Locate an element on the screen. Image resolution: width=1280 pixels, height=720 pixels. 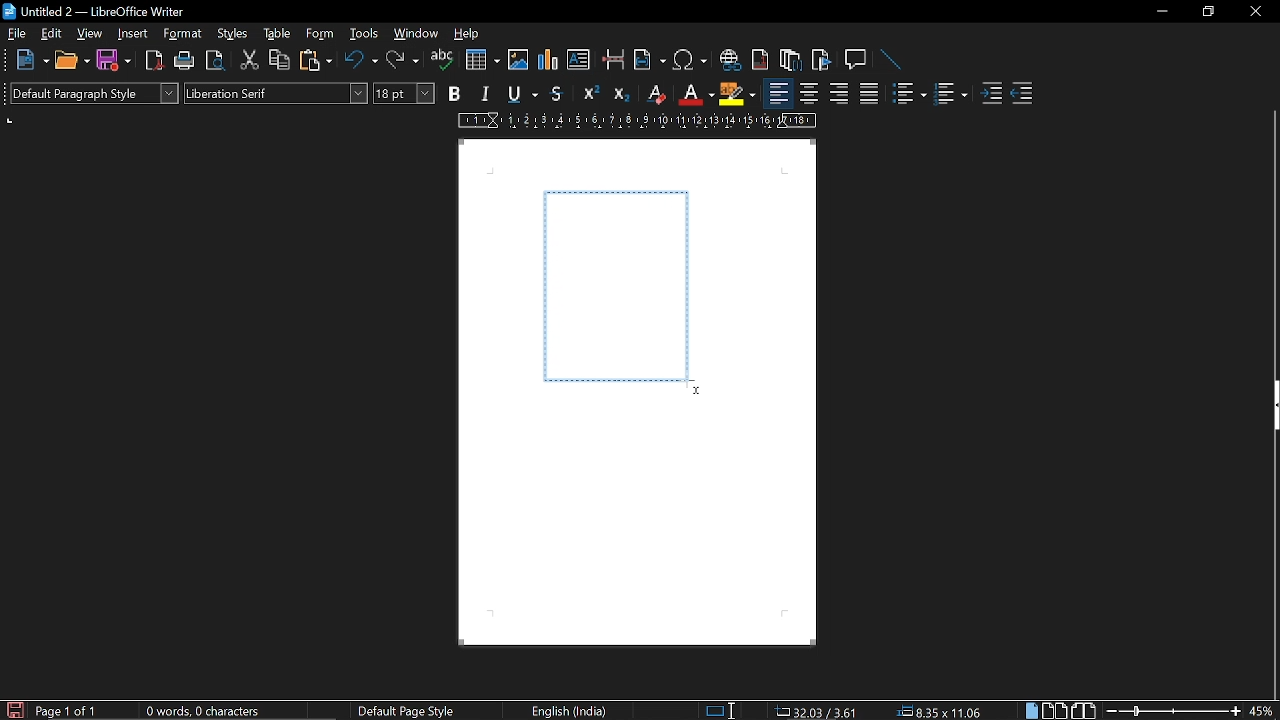
0 words 0 character is located at coordinates (200, 711).